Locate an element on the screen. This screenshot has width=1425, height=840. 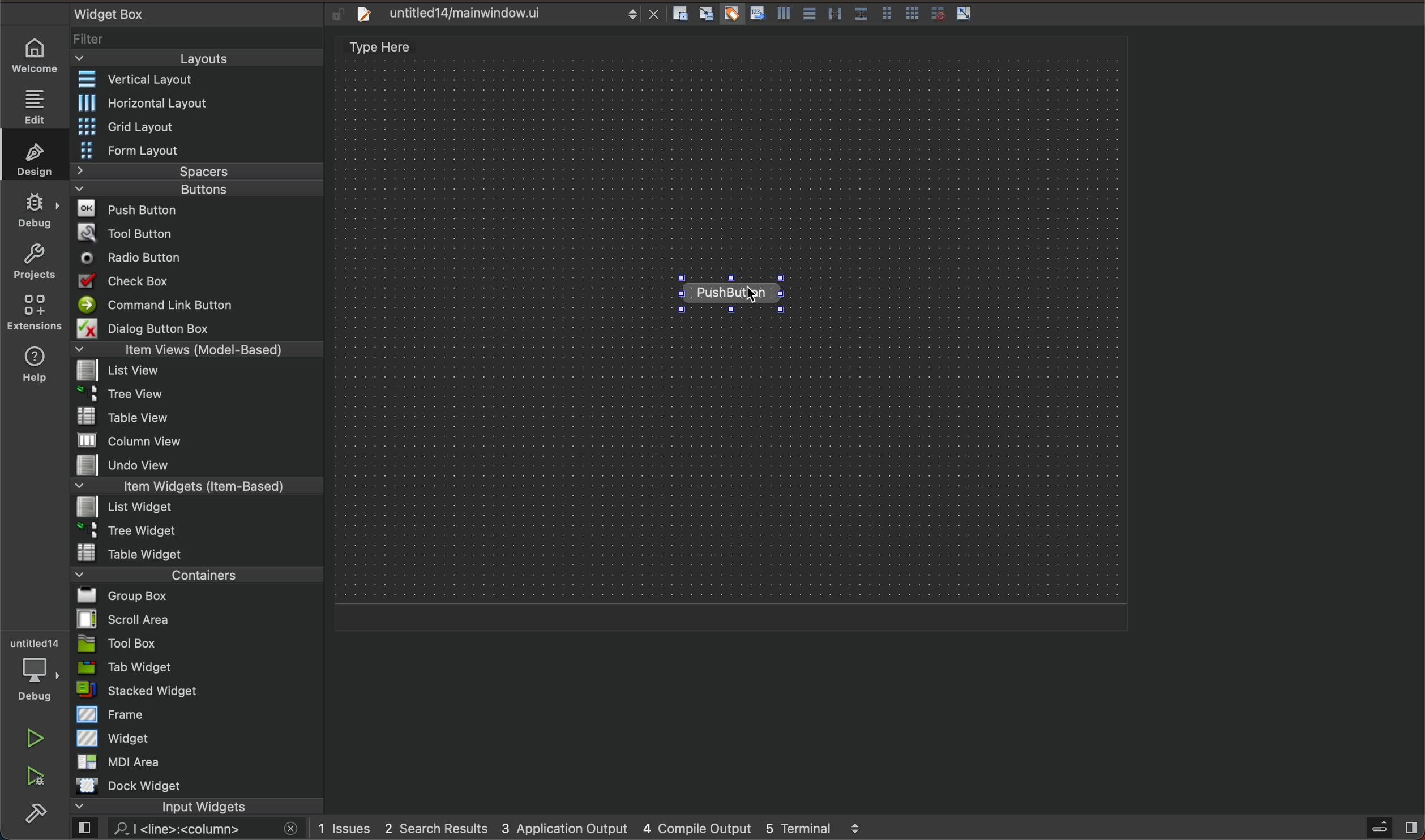
push button is located at coordinates (197, 211).